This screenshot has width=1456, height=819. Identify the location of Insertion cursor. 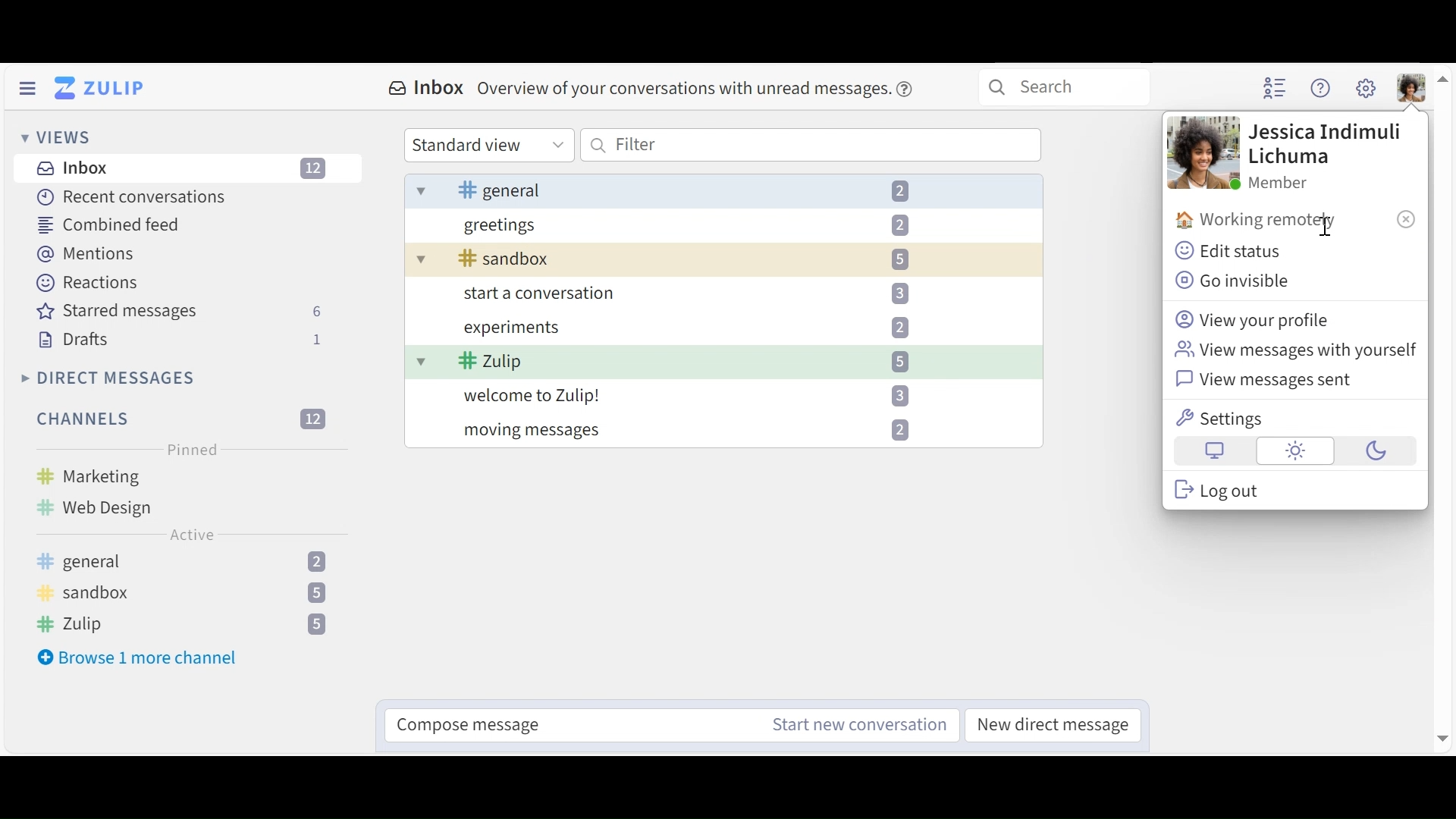
(1323, 227).